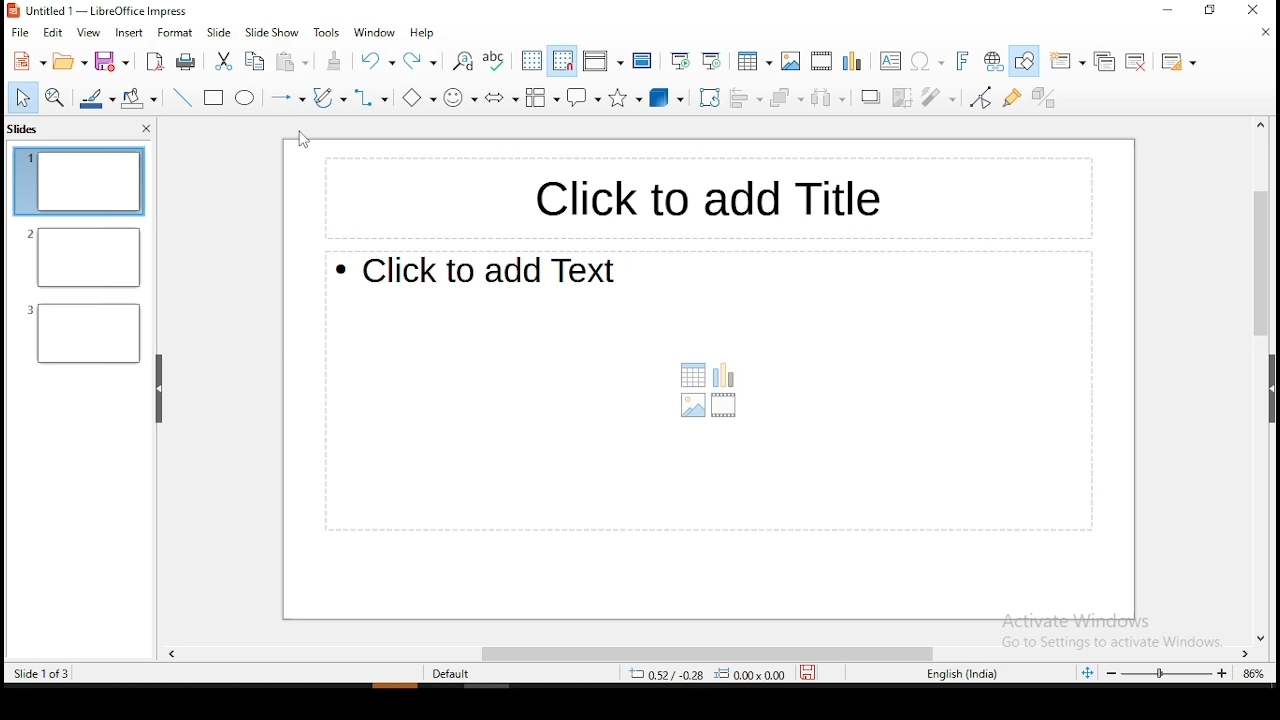 The width and height of the screenshot is (1280, 720). I want to click on help, so click(422, 32).